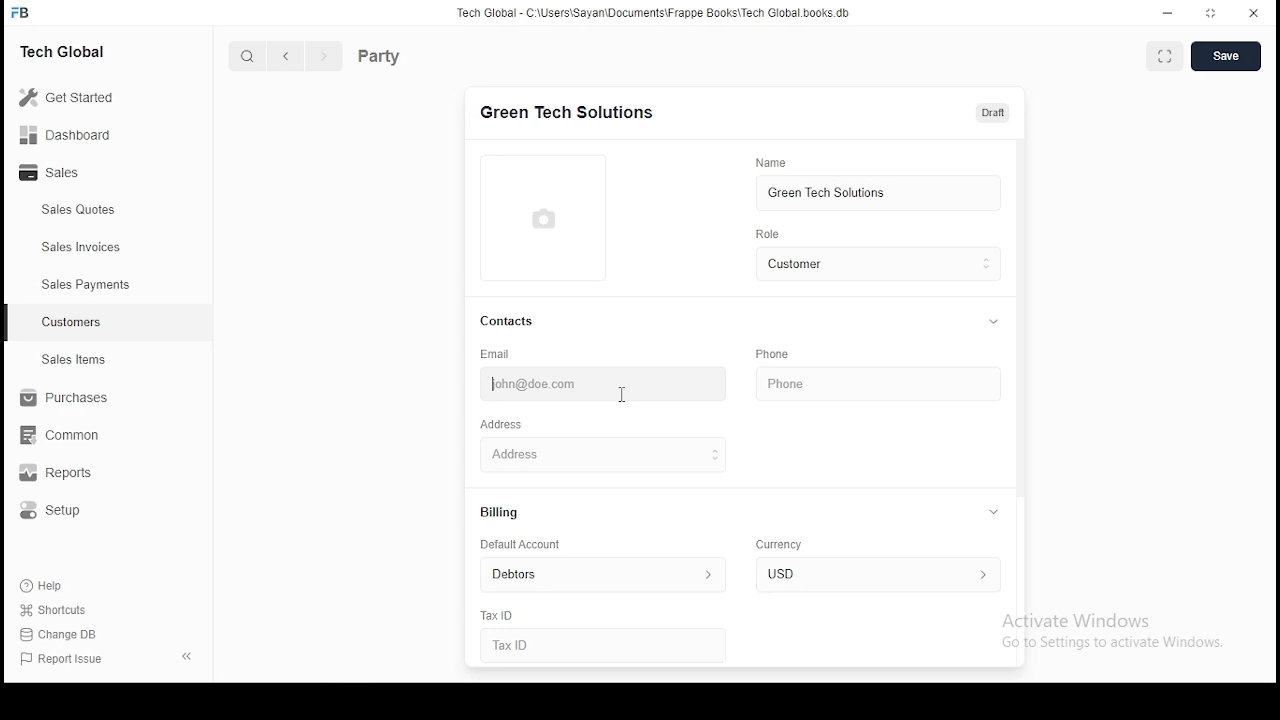  I want to click on Report issue, so click(65, 660).